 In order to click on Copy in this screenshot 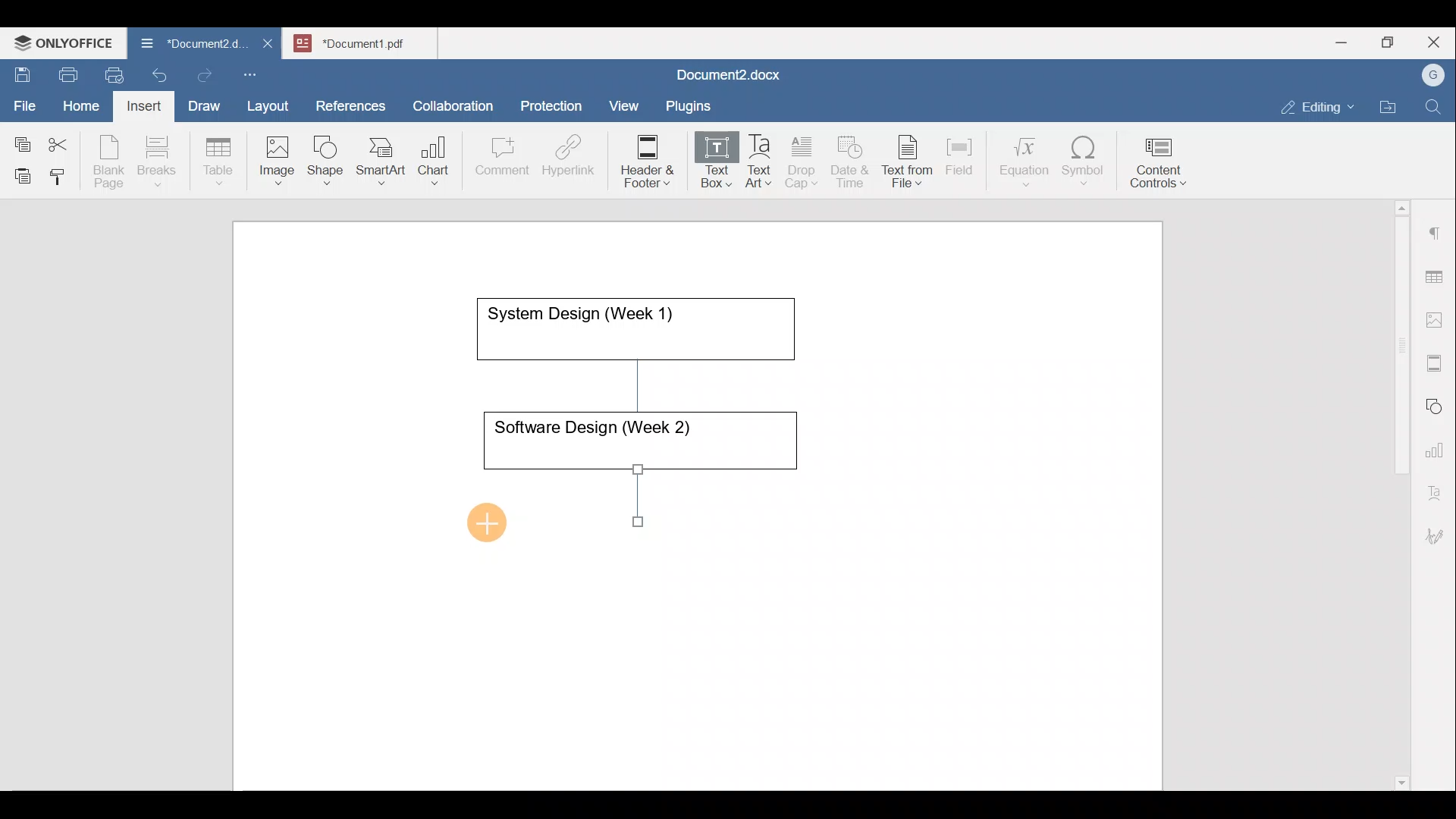, I will do `click(20, 140)`.